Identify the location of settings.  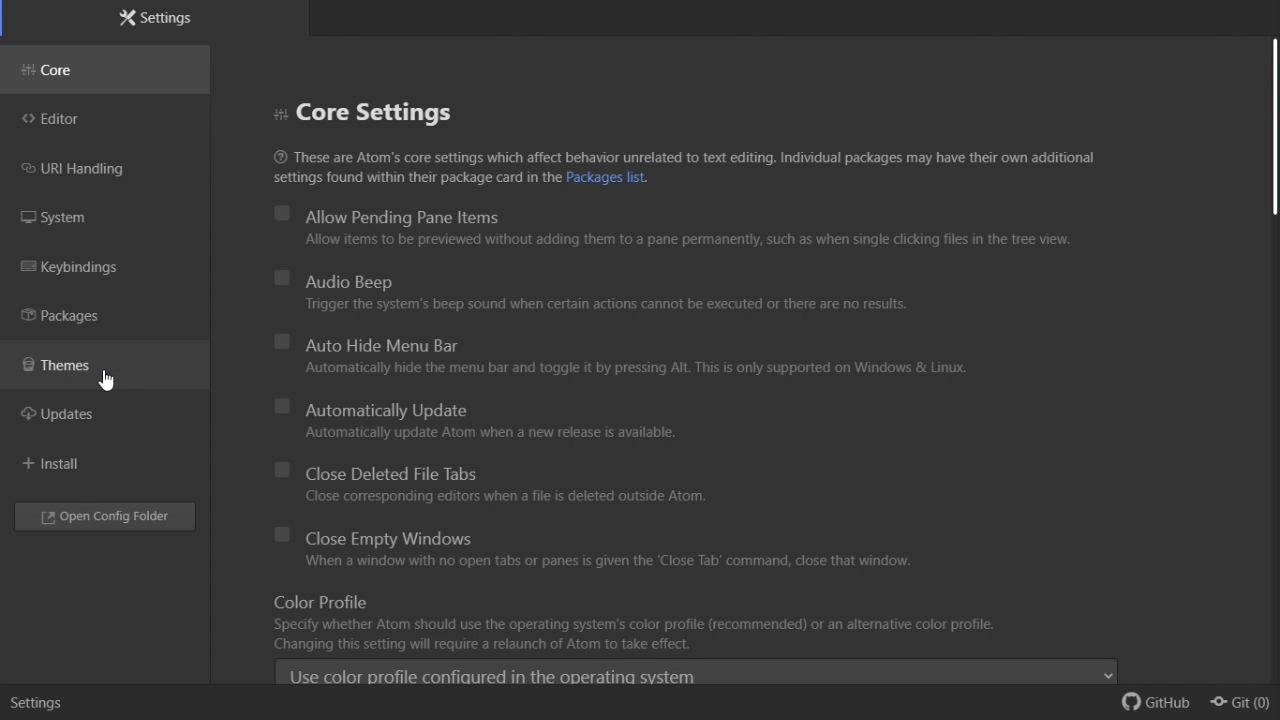
(40, 703).